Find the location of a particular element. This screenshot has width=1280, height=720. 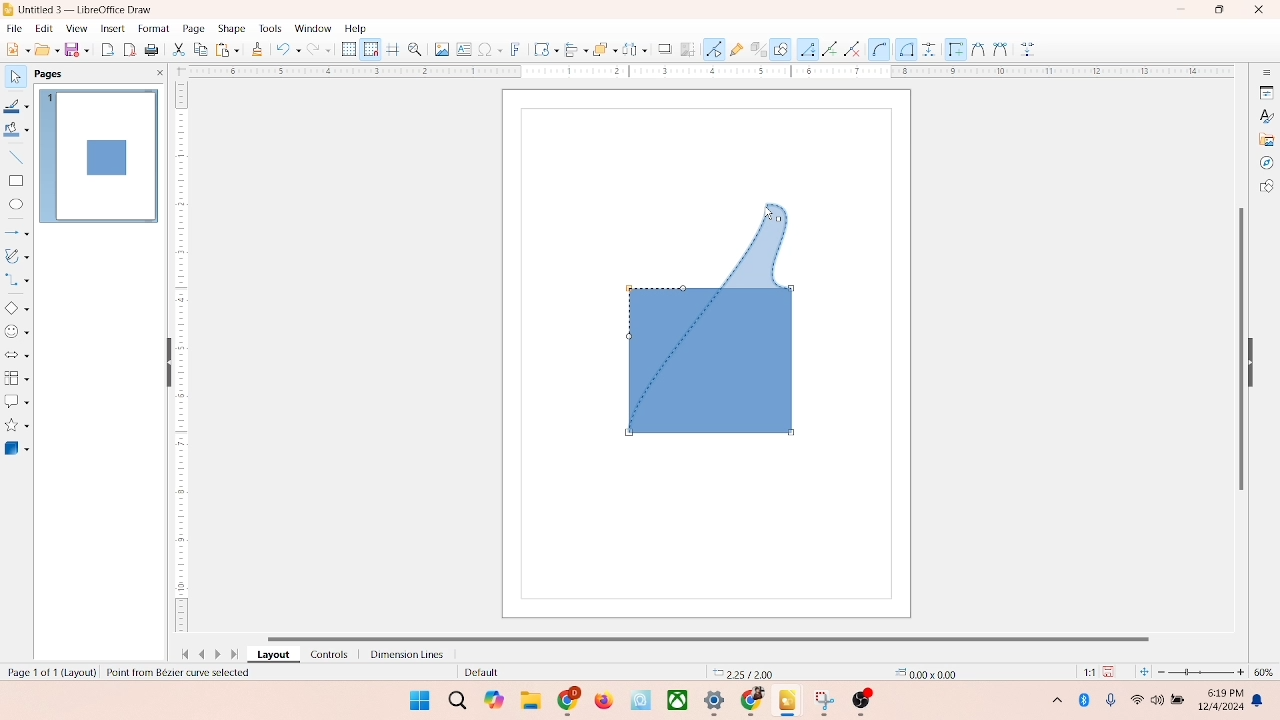

line color is located at coordinates (17, 106).